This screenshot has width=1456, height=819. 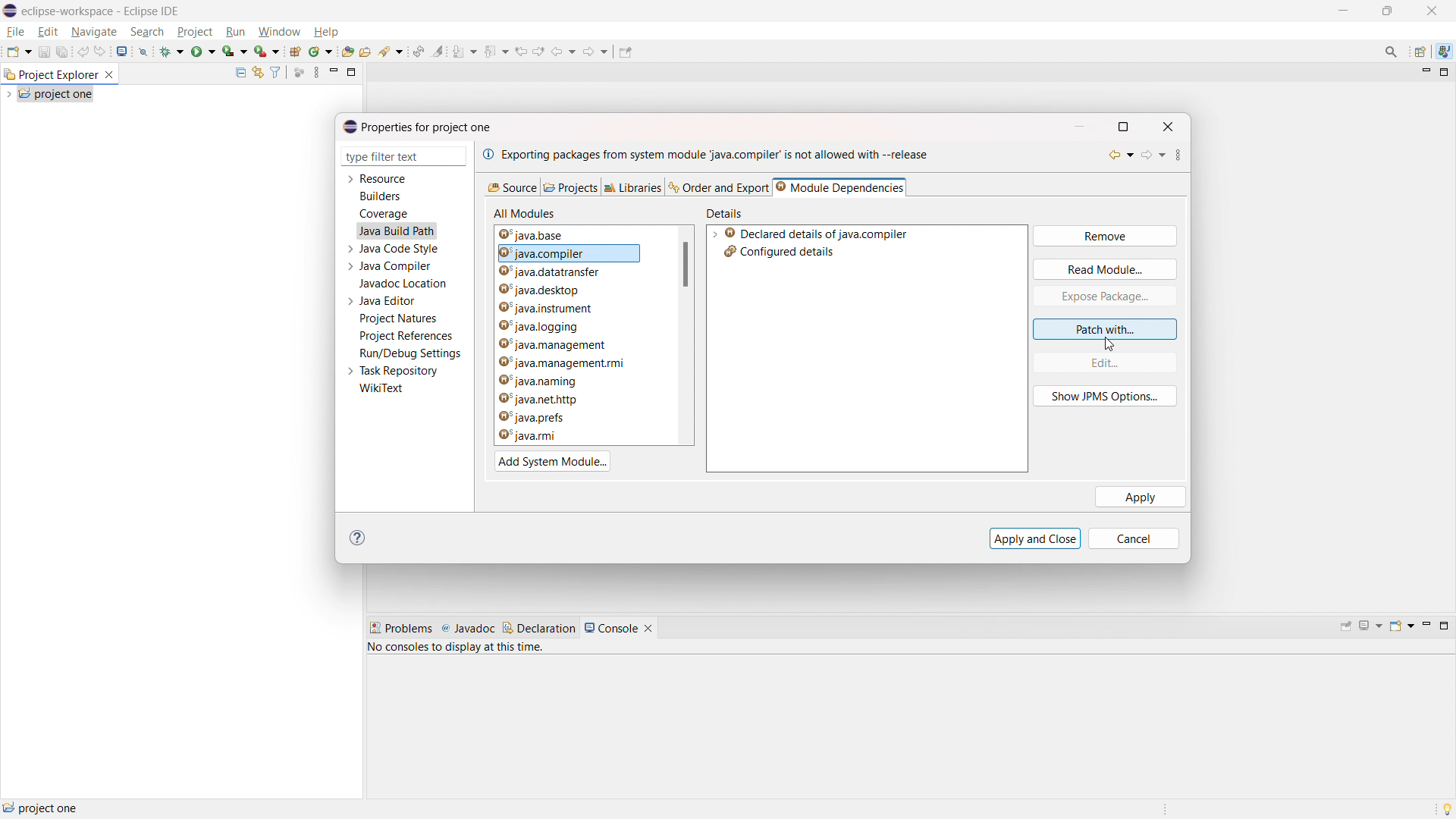 What do you see at coordinates (648, 629) in the screenshot?
I see `close console` at bounding box center [648, 629].